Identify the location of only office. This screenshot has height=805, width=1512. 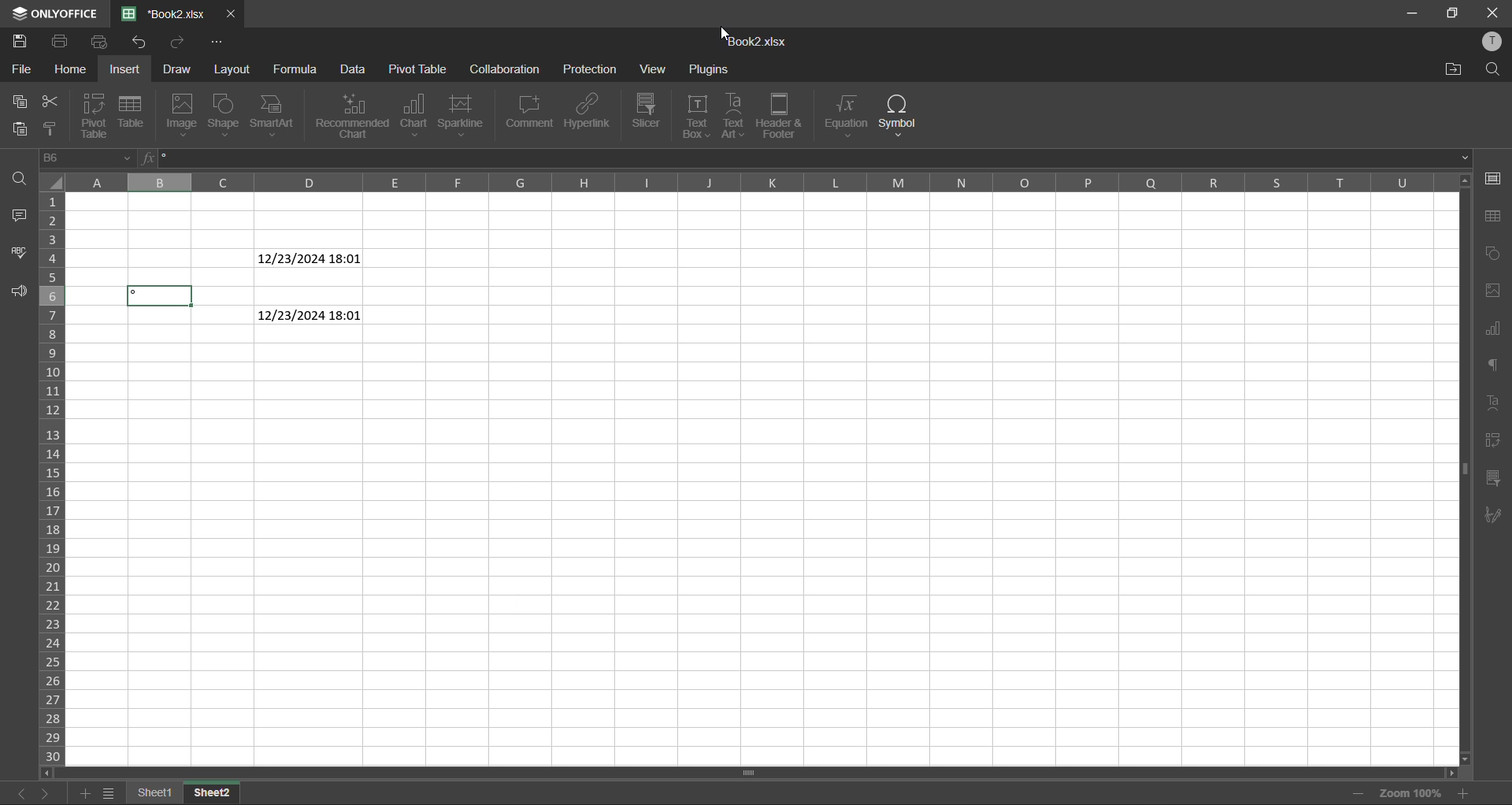
(53, 12).